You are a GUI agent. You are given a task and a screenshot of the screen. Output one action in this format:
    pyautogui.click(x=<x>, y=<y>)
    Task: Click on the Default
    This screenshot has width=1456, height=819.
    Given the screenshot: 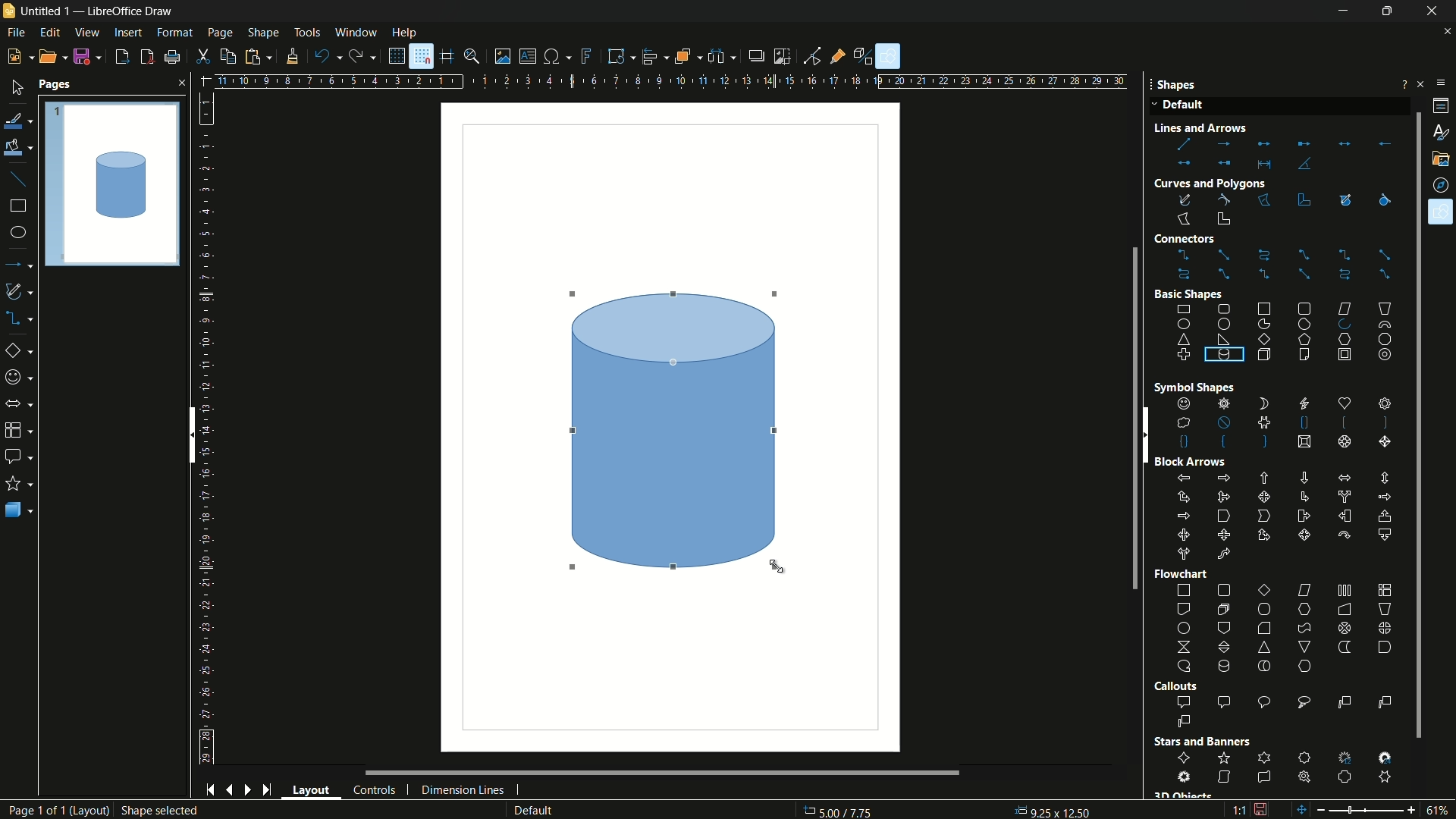 What is the action you would take?
    pyautogui.click(x=1180, y=106)
    